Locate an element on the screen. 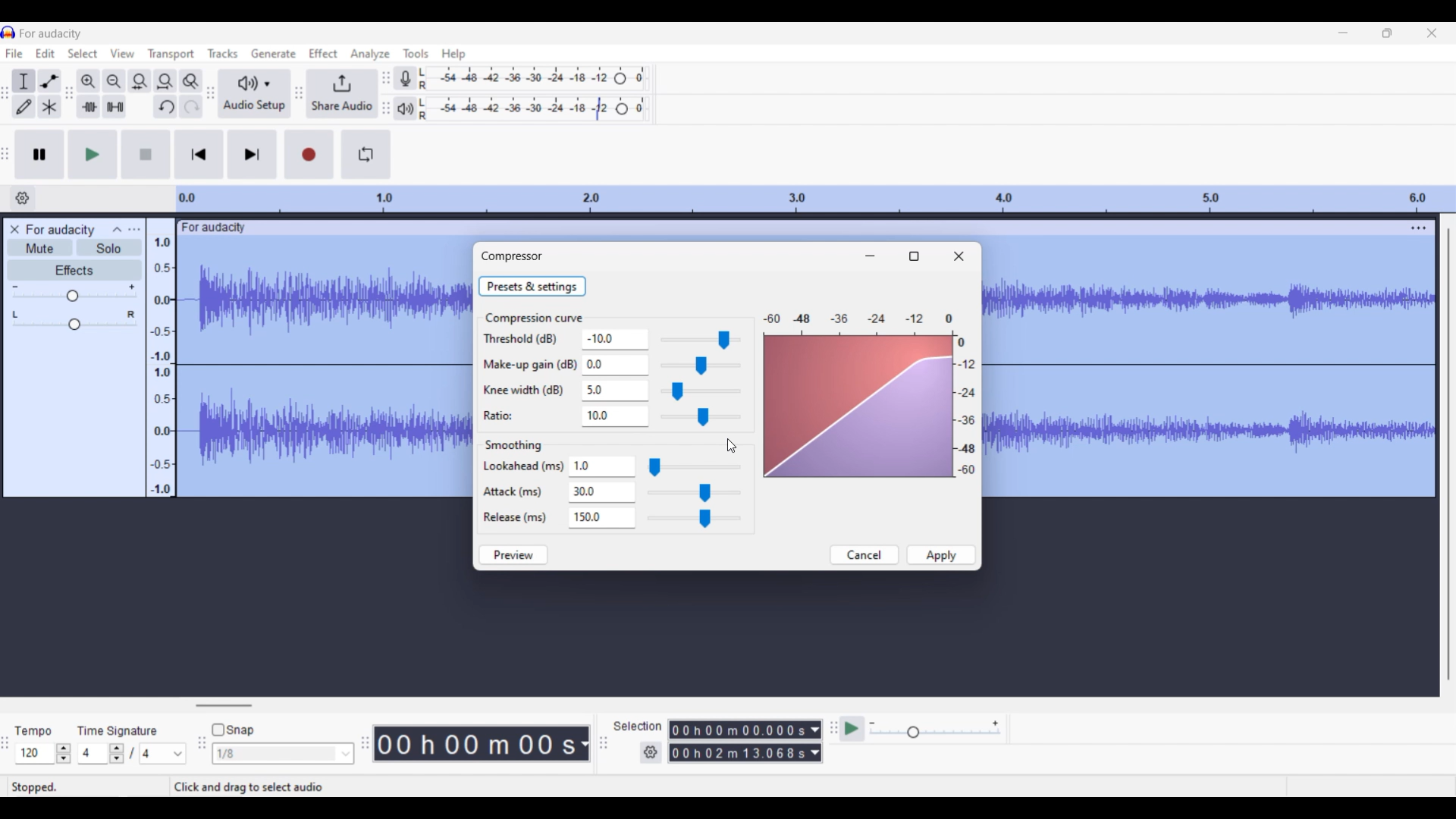 This screenshot has height=819, width=1456. Fit project to width is located at coordinates (165, 80).